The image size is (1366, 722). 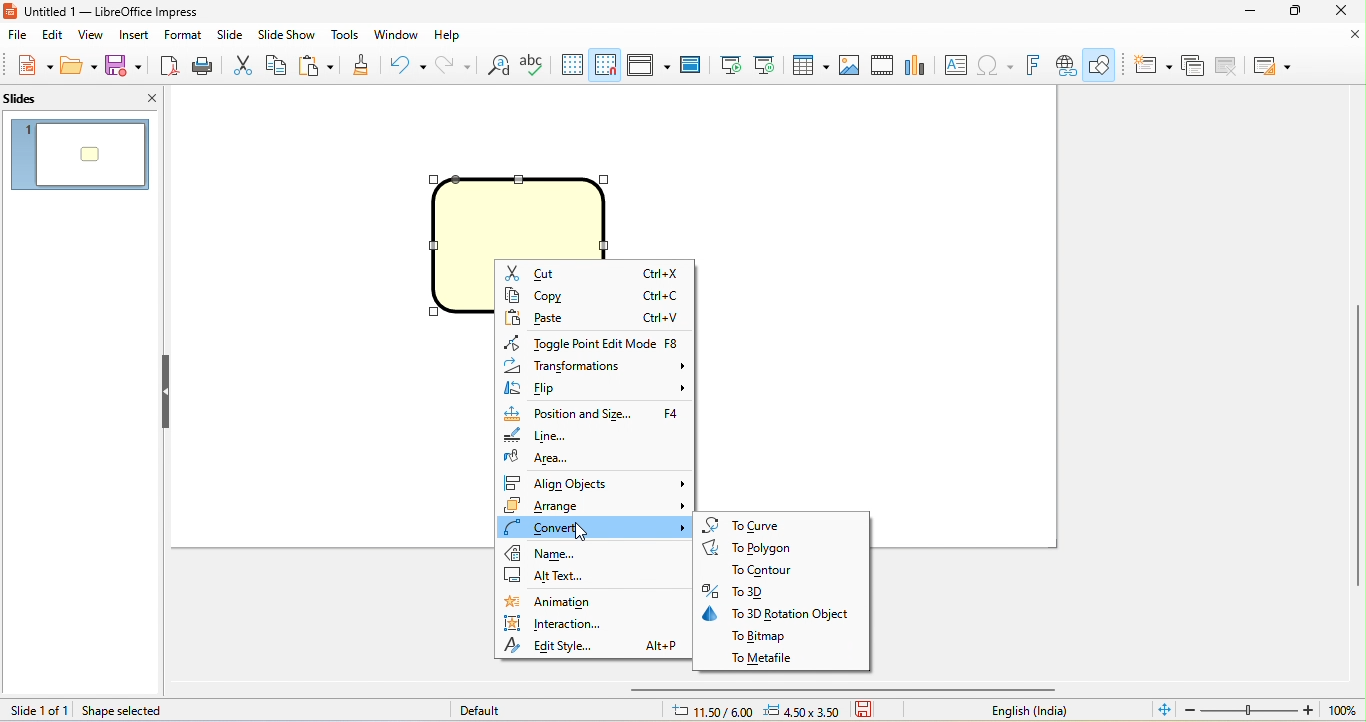 I want to click on alt text, so click(x=564, y=578).